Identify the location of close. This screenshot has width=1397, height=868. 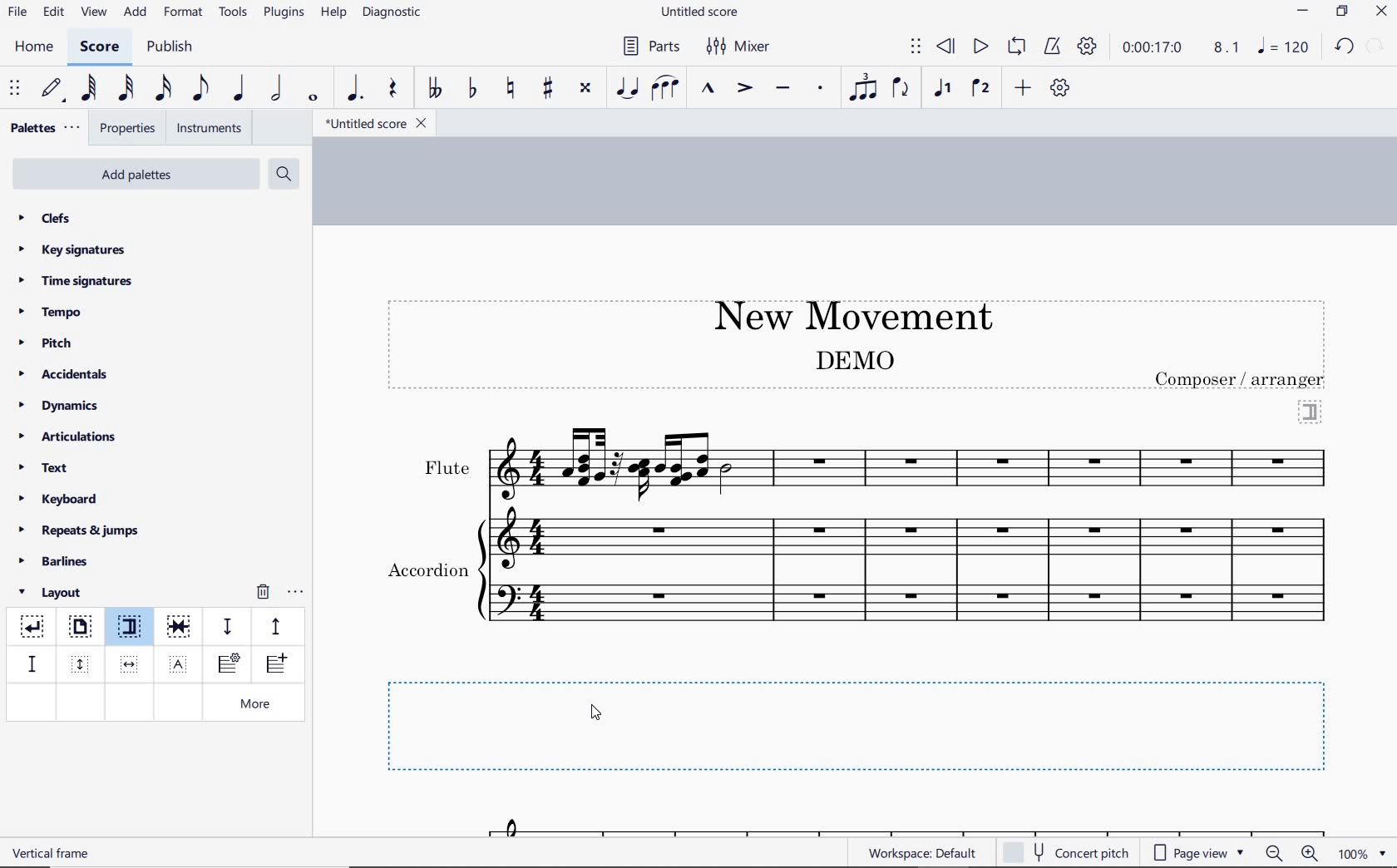
(1381, 13).